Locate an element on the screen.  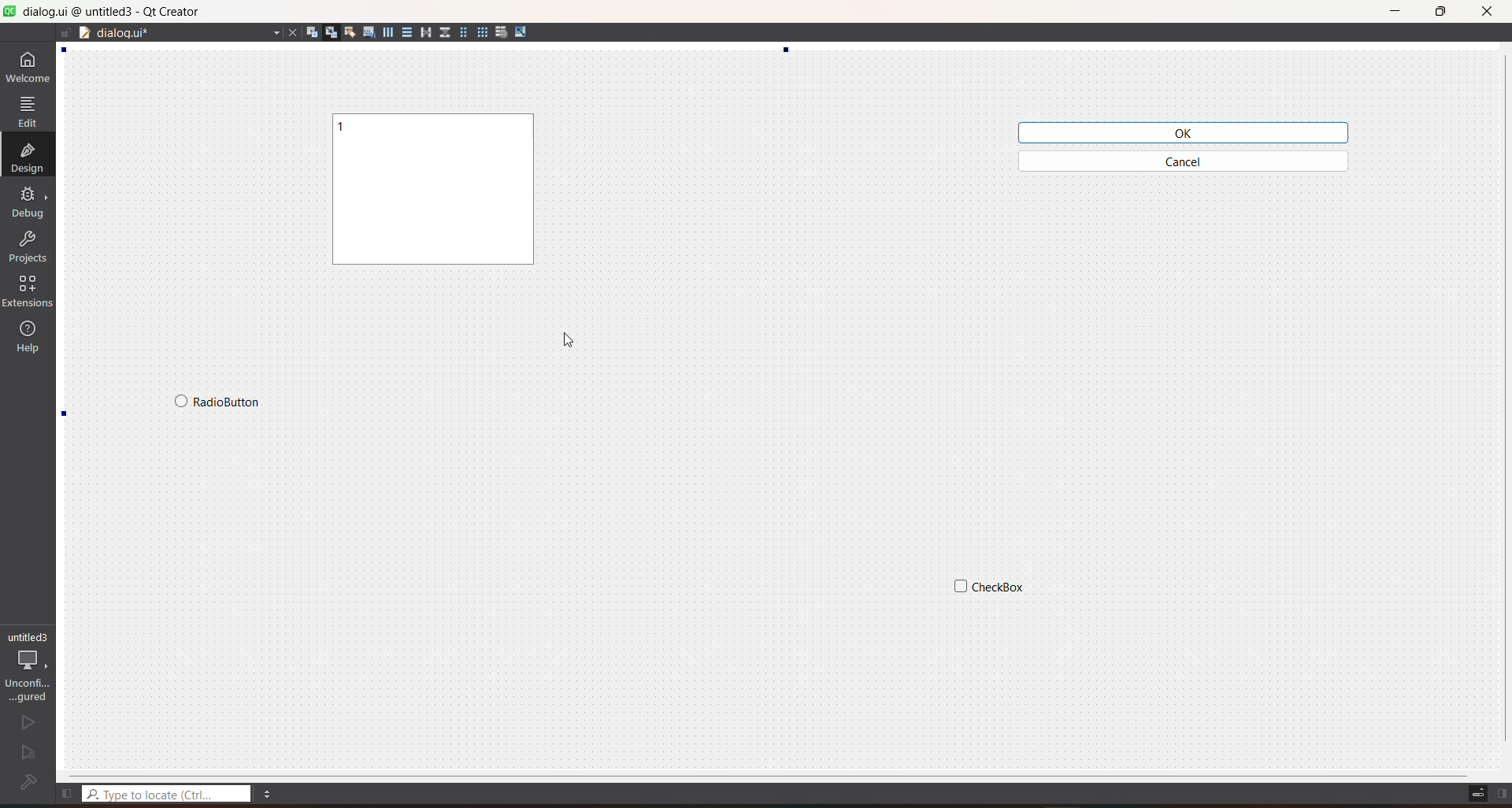
minimize is located at coordinates (1394, 13).